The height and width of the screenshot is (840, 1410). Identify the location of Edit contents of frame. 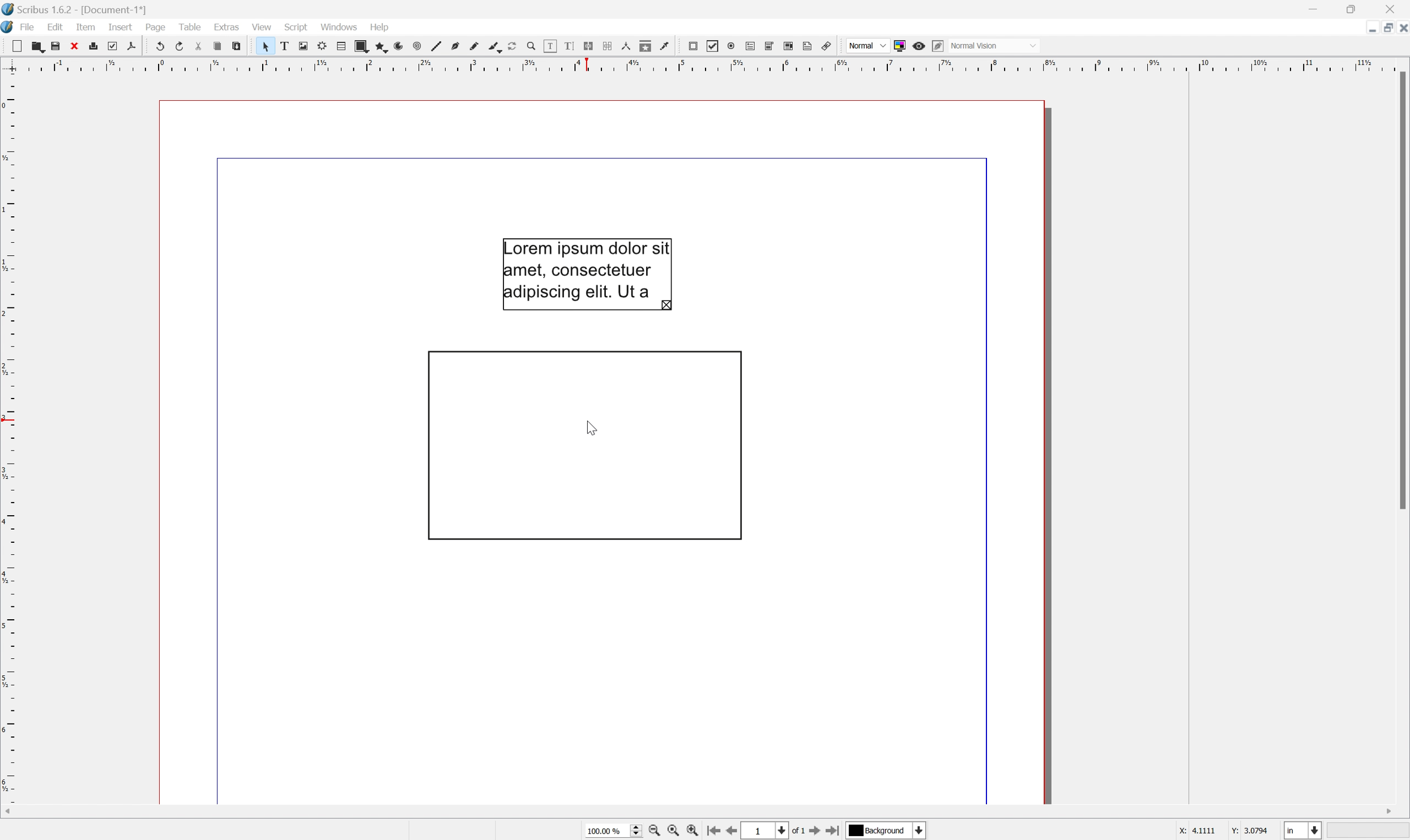
(549, 45).